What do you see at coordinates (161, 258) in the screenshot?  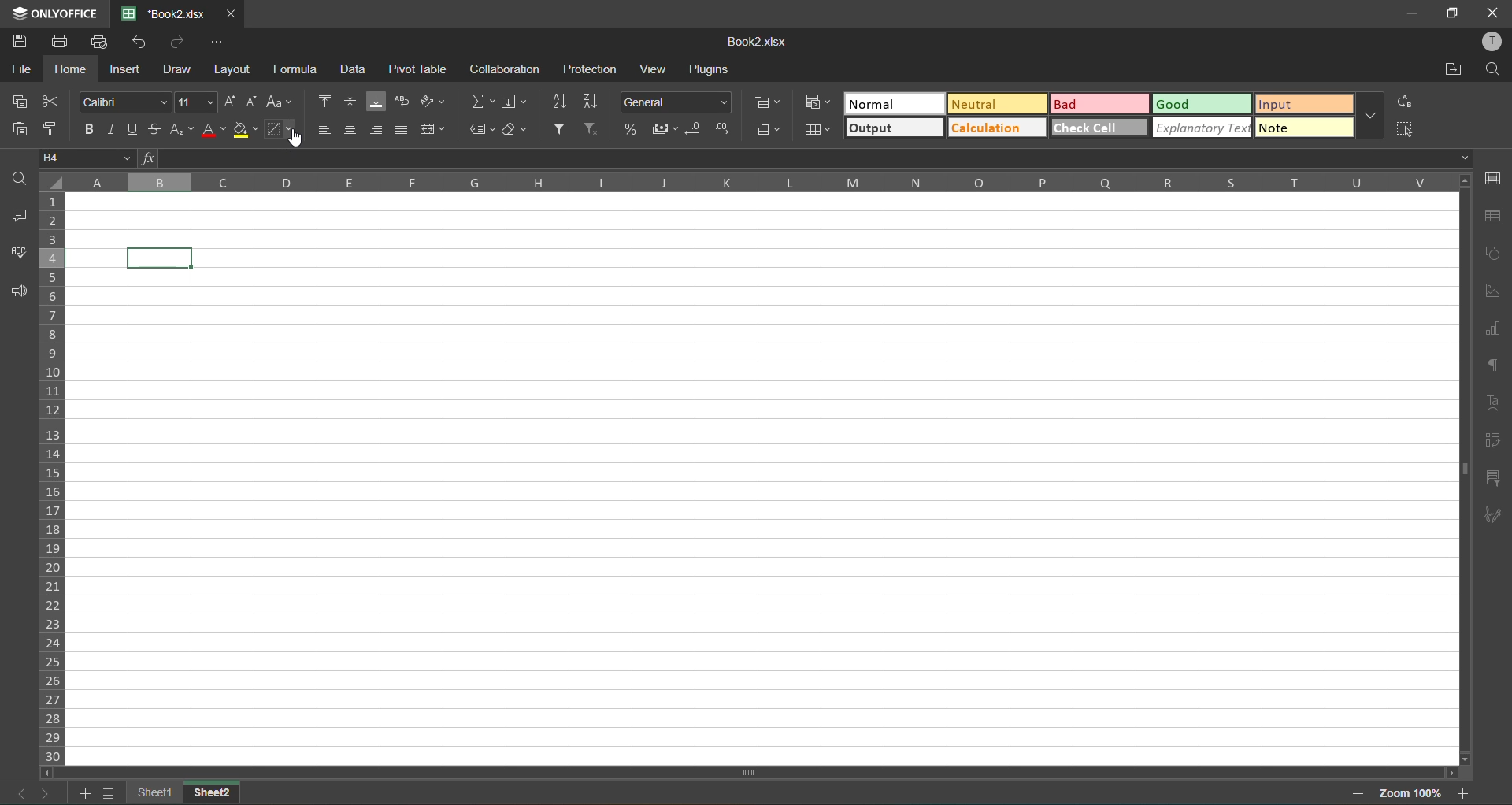 I see `selected cell` at bounding box center [161, 258].